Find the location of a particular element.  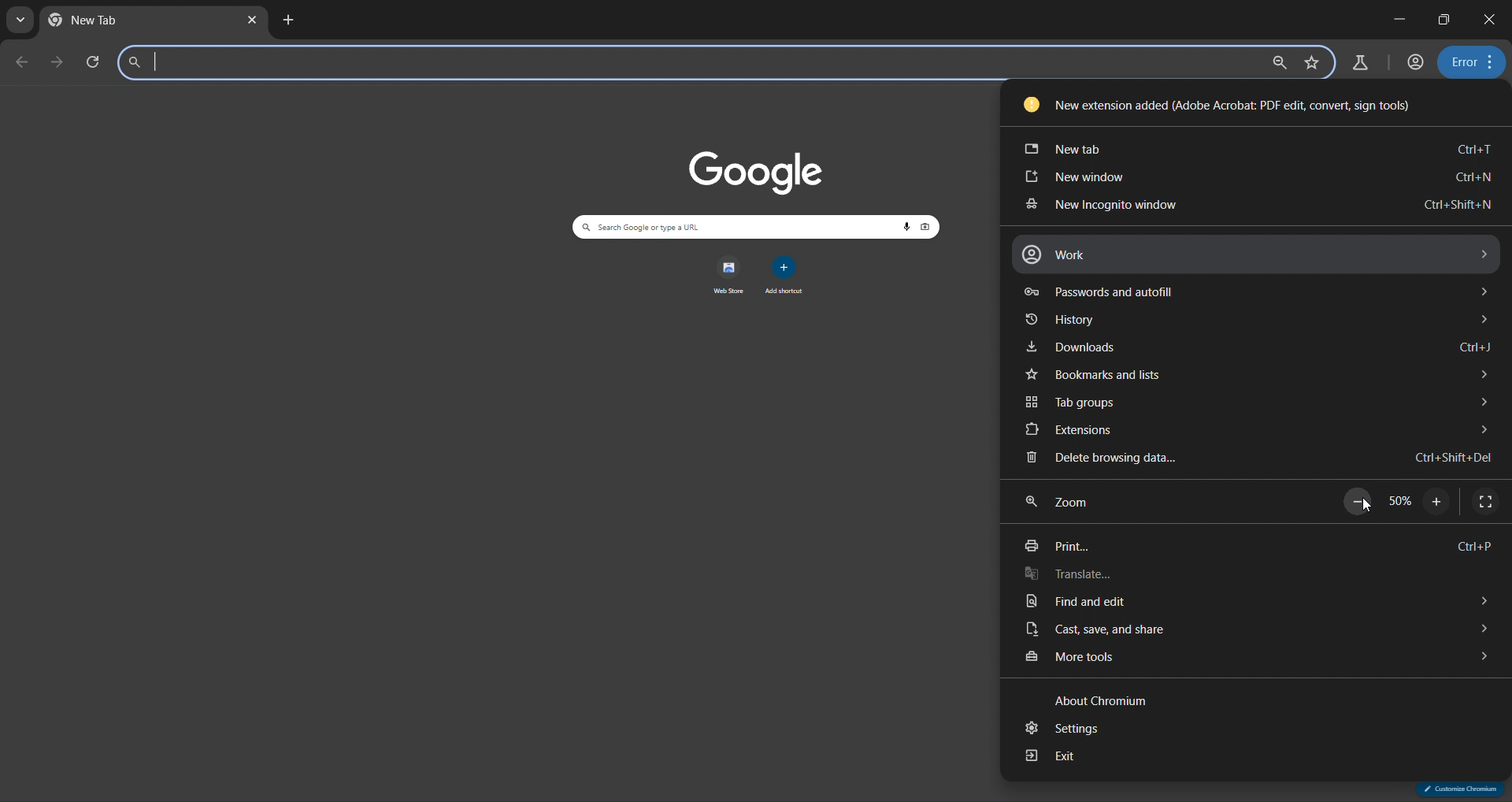

close tab is located at coordinates (254, 20).